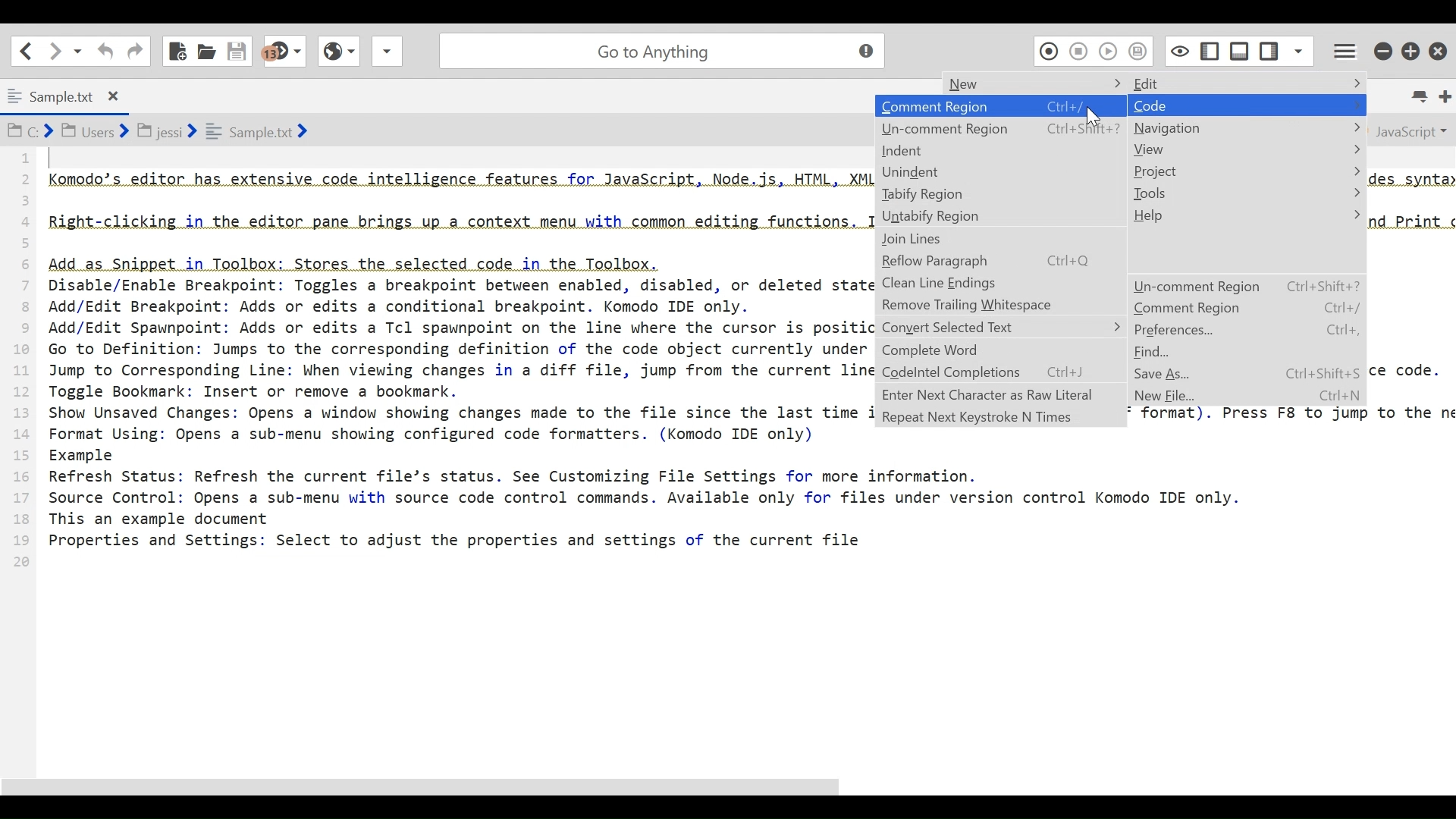 The width and height of the screenshot is (1456, 819). Describe the element at coordinates (26, 50) in the screenshot. I see `Go back one location` at that location.